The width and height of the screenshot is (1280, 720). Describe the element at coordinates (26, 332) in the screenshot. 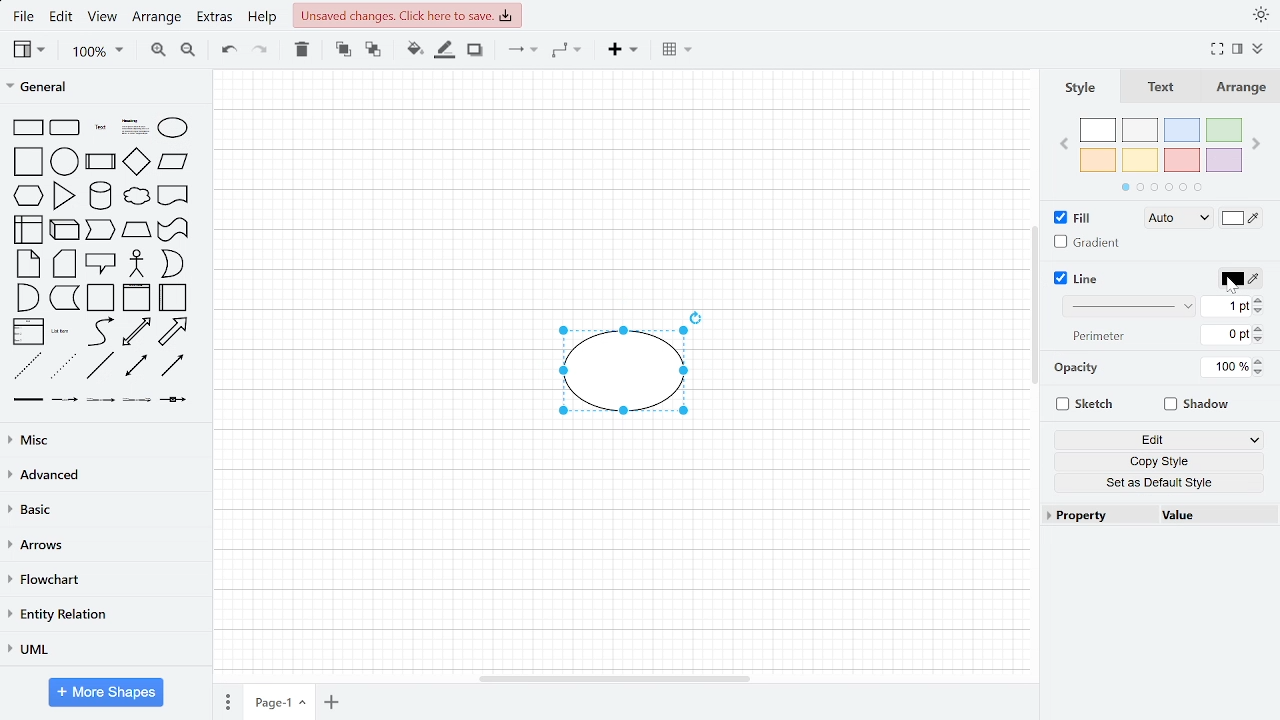

I see `list` at that location.